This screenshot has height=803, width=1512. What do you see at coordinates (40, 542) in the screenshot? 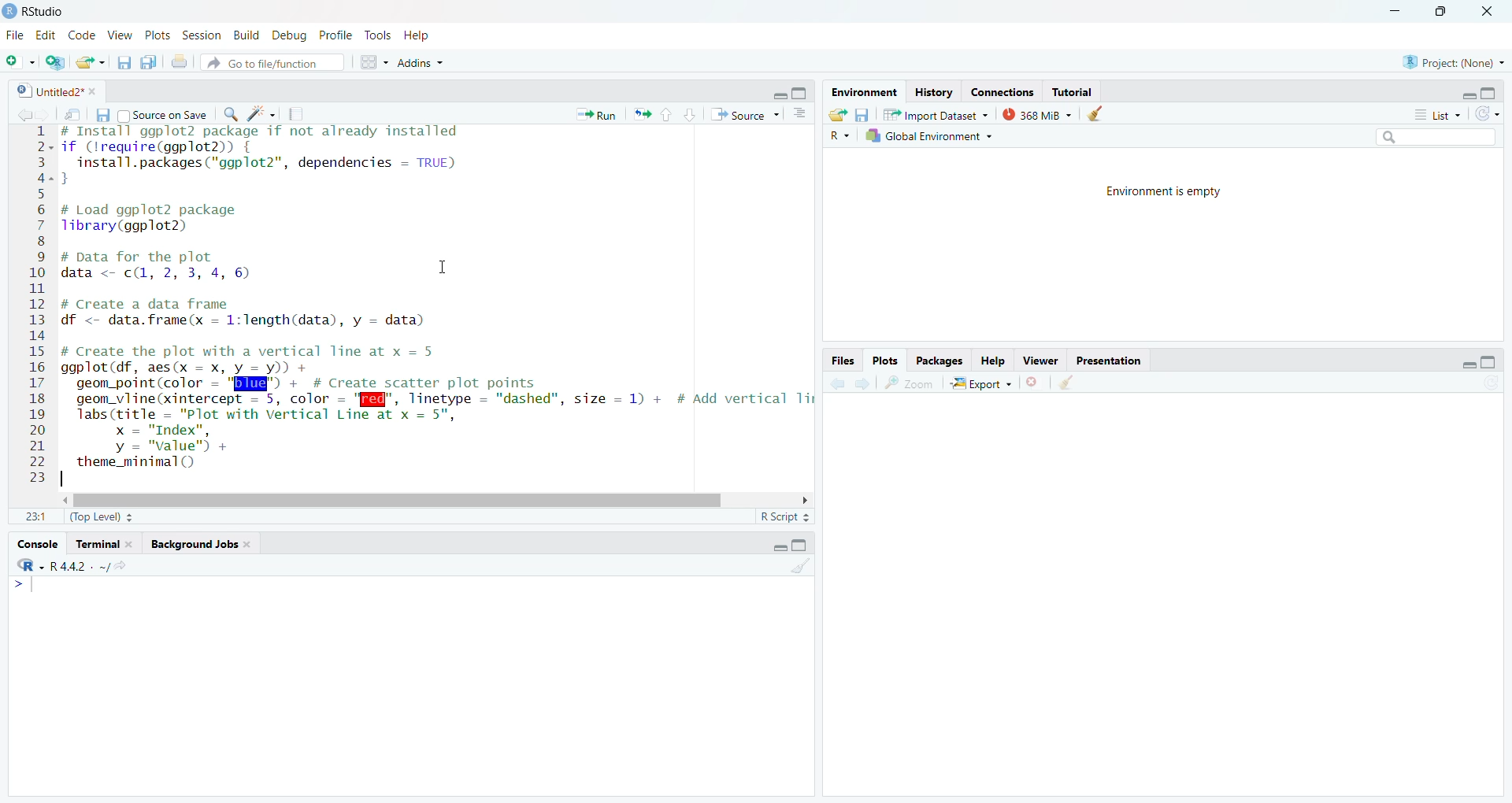
I see `Console` at bounding box center [40, 542].